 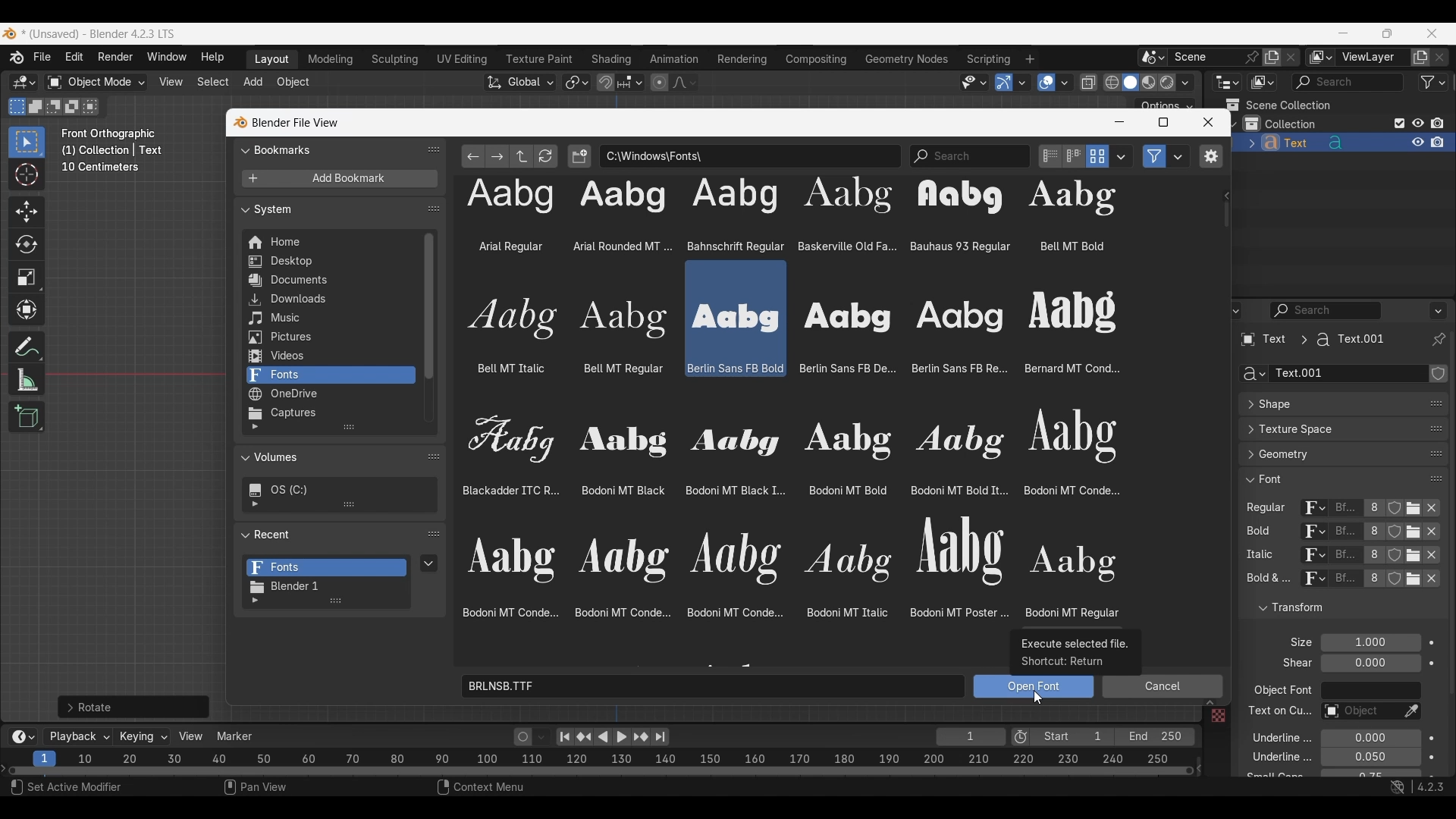 What do you see at coordinates (1394, 511) in the screenshot?
I see `Fake user for respe` at bounding box center [1394, 511].